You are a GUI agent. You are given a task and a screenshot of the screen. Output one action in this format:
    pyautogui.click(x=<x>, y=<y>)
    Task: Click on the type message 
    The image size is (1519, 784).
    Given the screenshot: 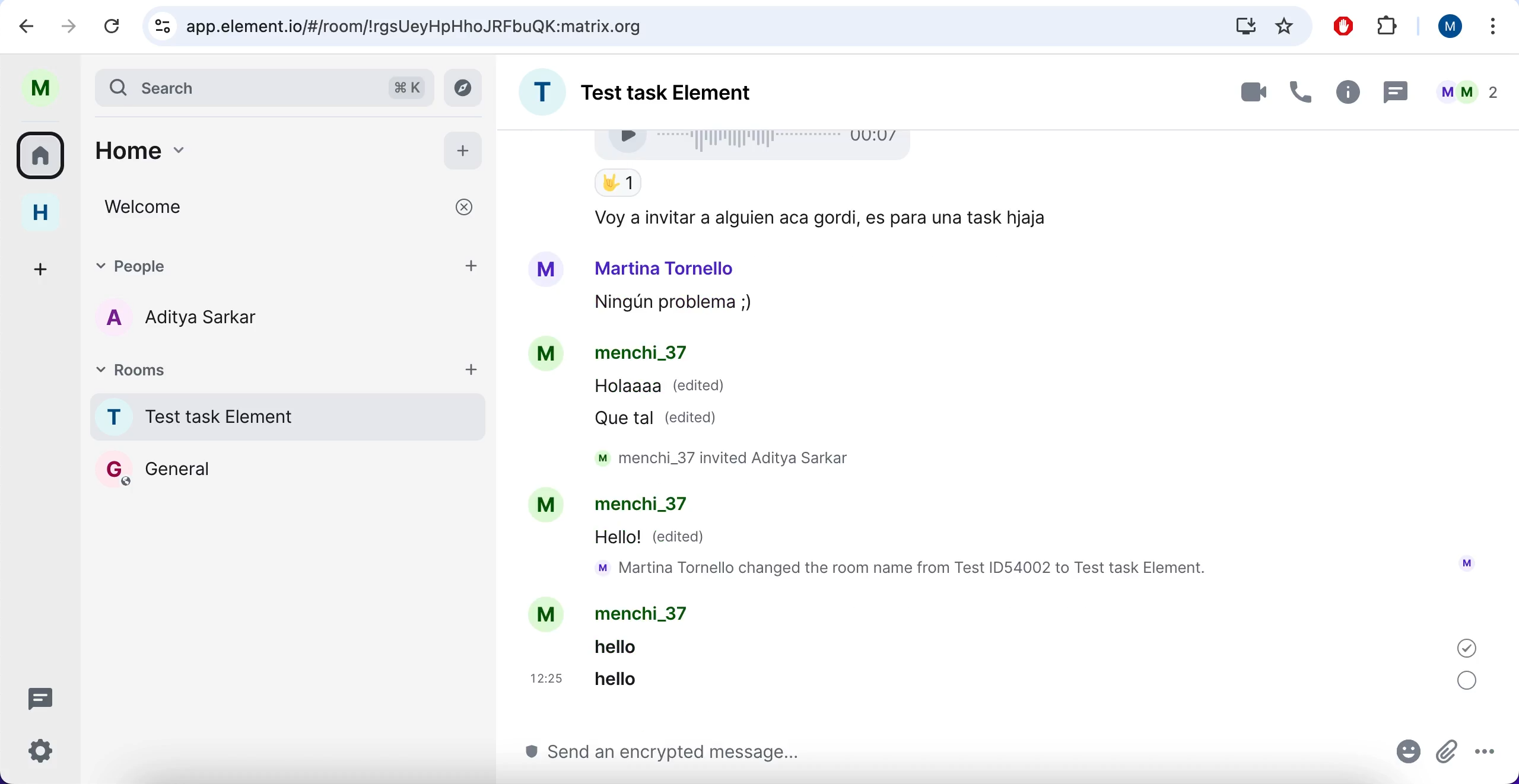 What is the action you would take?
    pyautogui.click(x=672, y=751)
    